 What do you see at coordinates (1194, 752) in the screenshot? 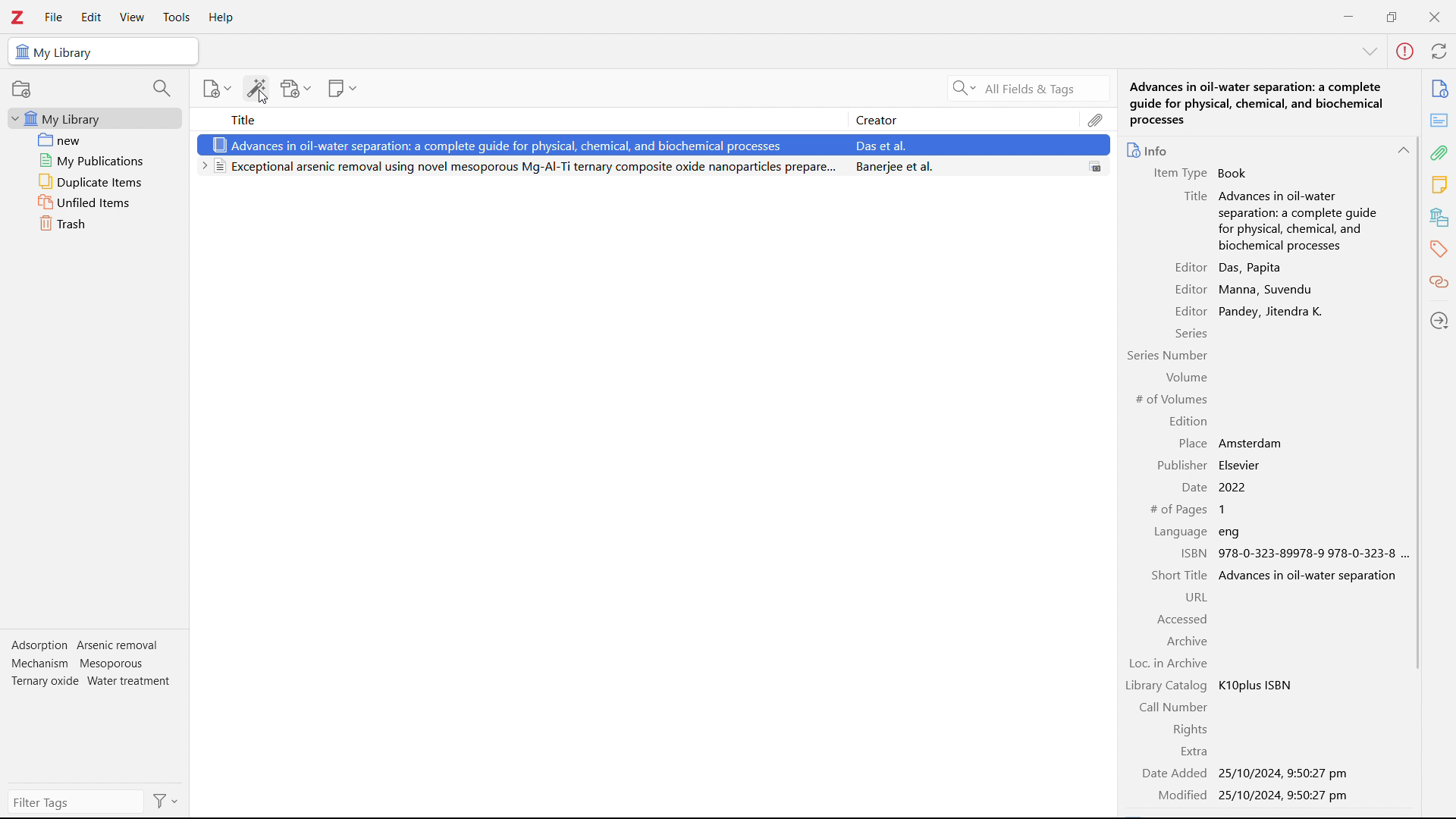
I see `Extra` at bounding box center [1194, 752].